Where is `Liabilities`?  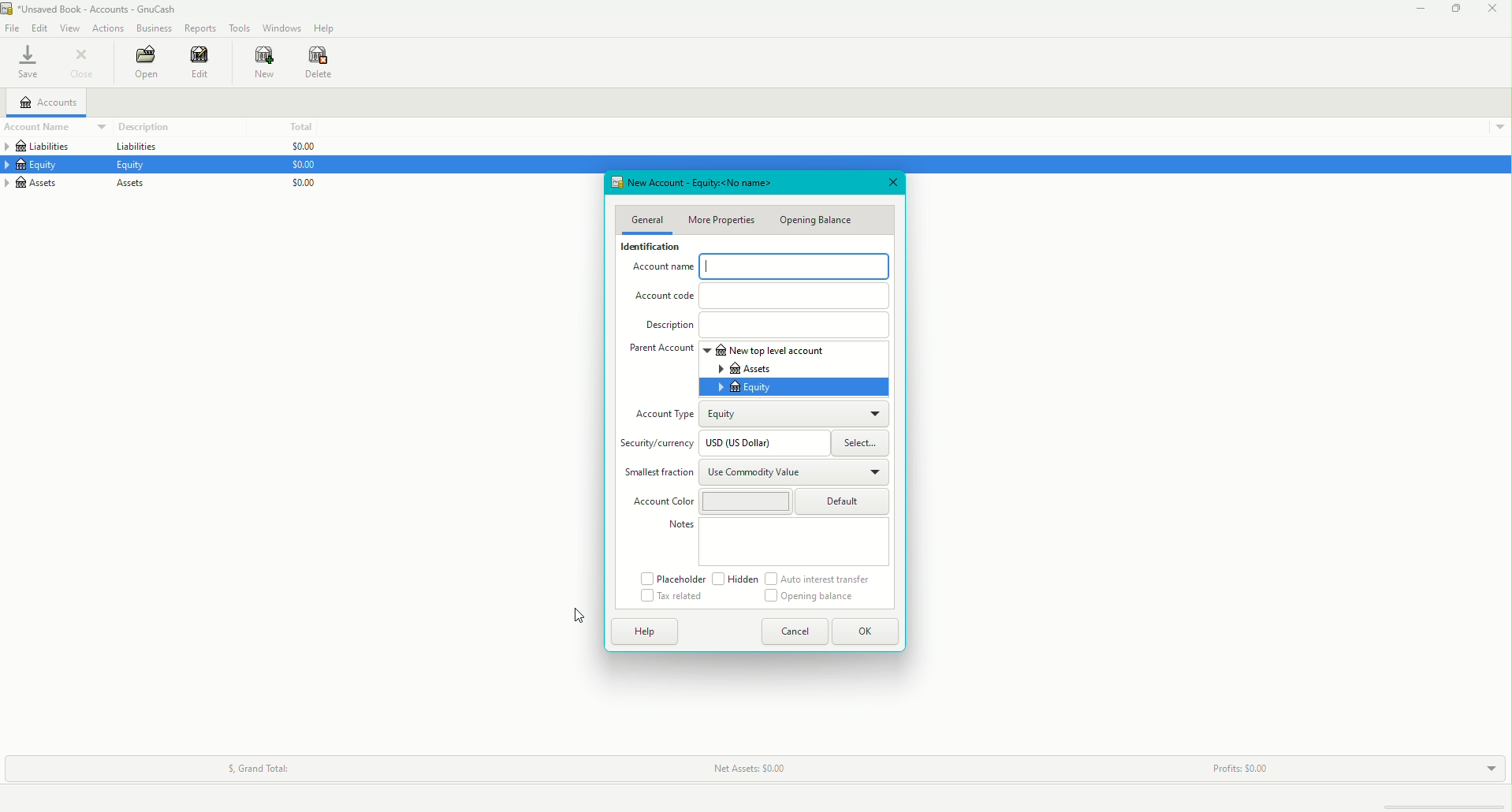 Liabilities is located at coordinates (46, 147).